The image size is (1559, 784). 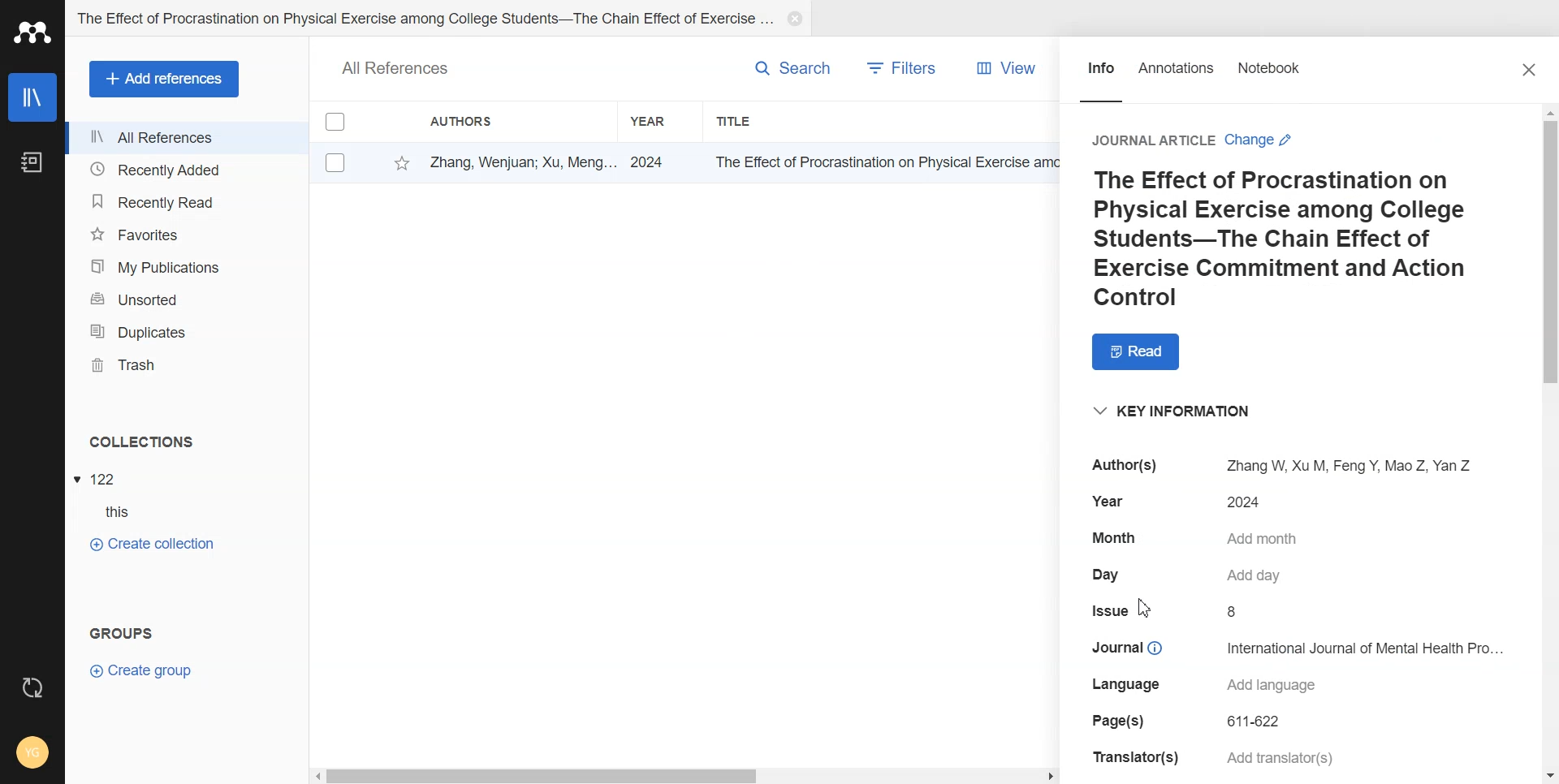 What do you see at coordinates (32, 97) in the screenshot?
I see `Library` at bounding box center [32, 97].